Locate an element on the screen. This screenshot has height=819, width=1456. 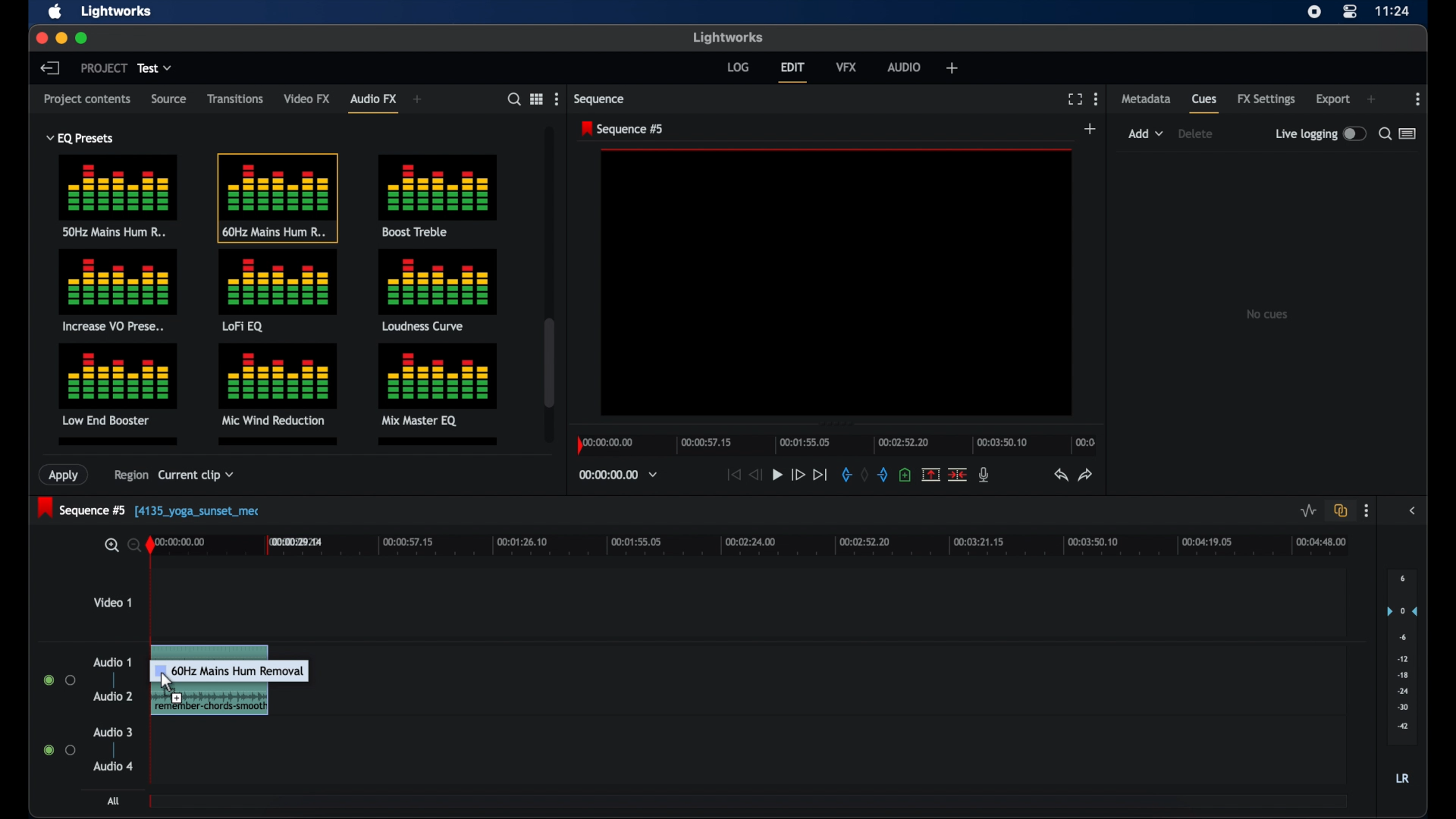
add is located at coordinates (1371, 99).